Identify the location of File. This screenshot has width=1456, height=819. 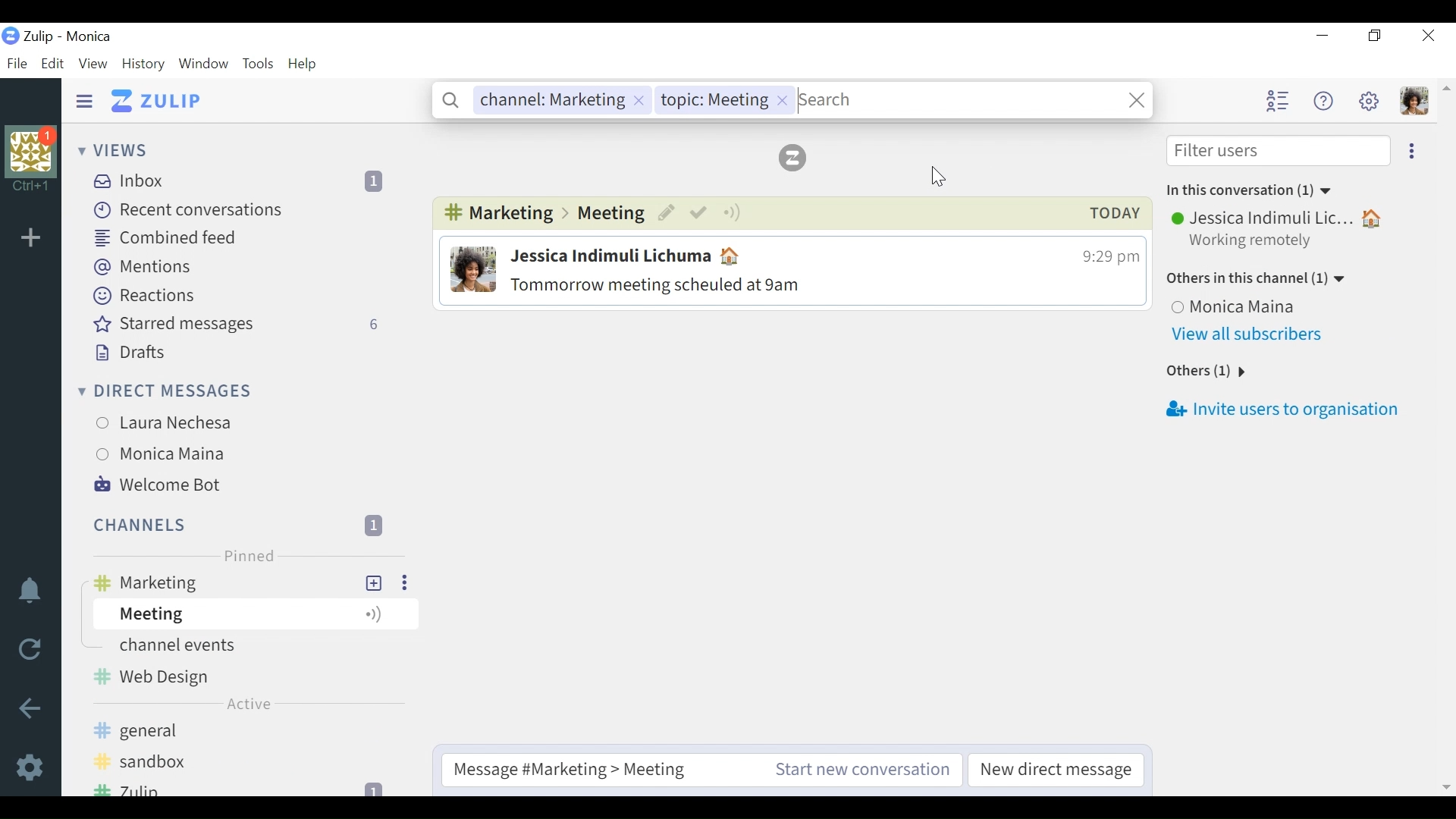
(17, 64).